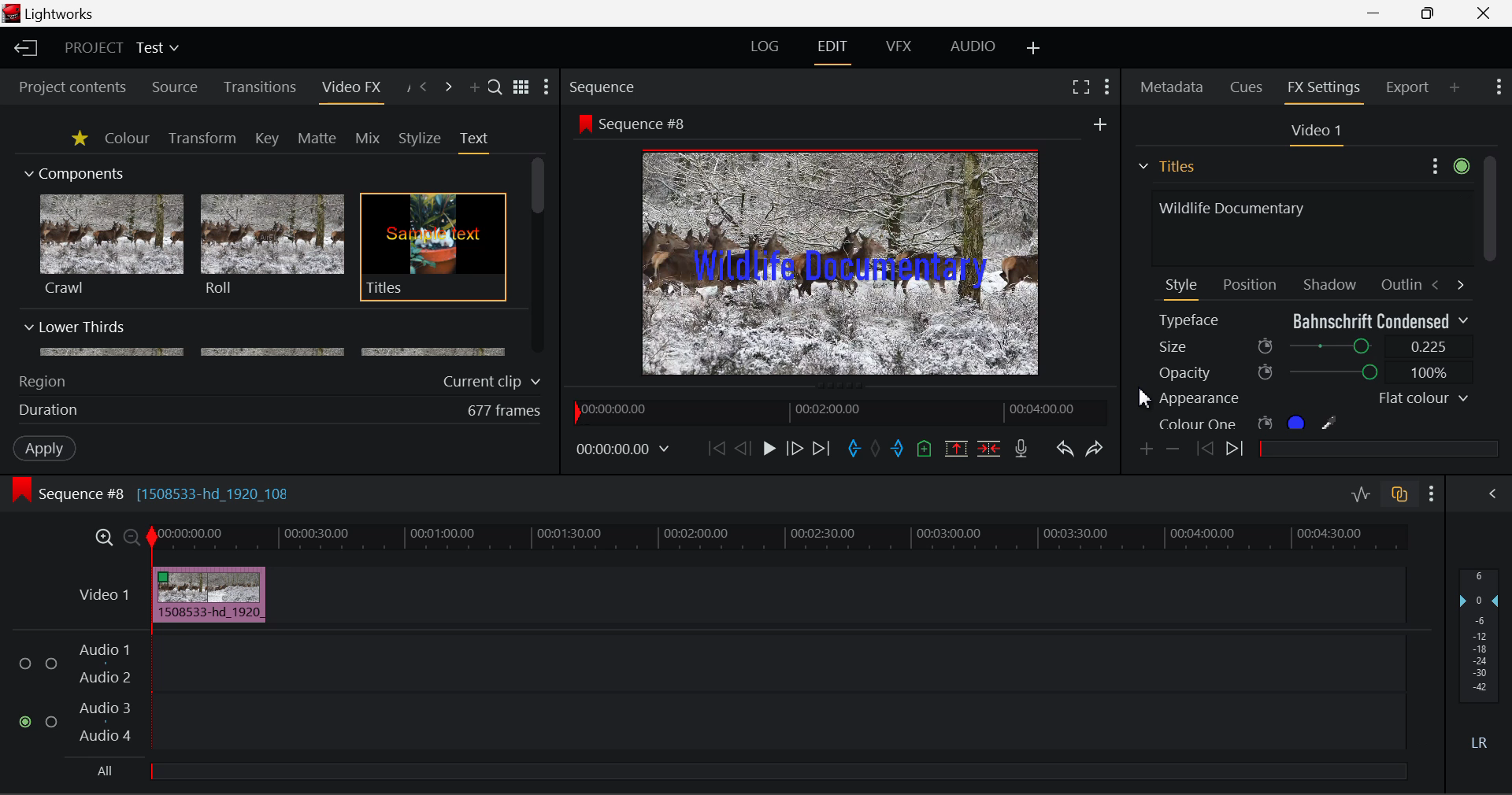  I want to click on VFX Layout, so click(898, 46).